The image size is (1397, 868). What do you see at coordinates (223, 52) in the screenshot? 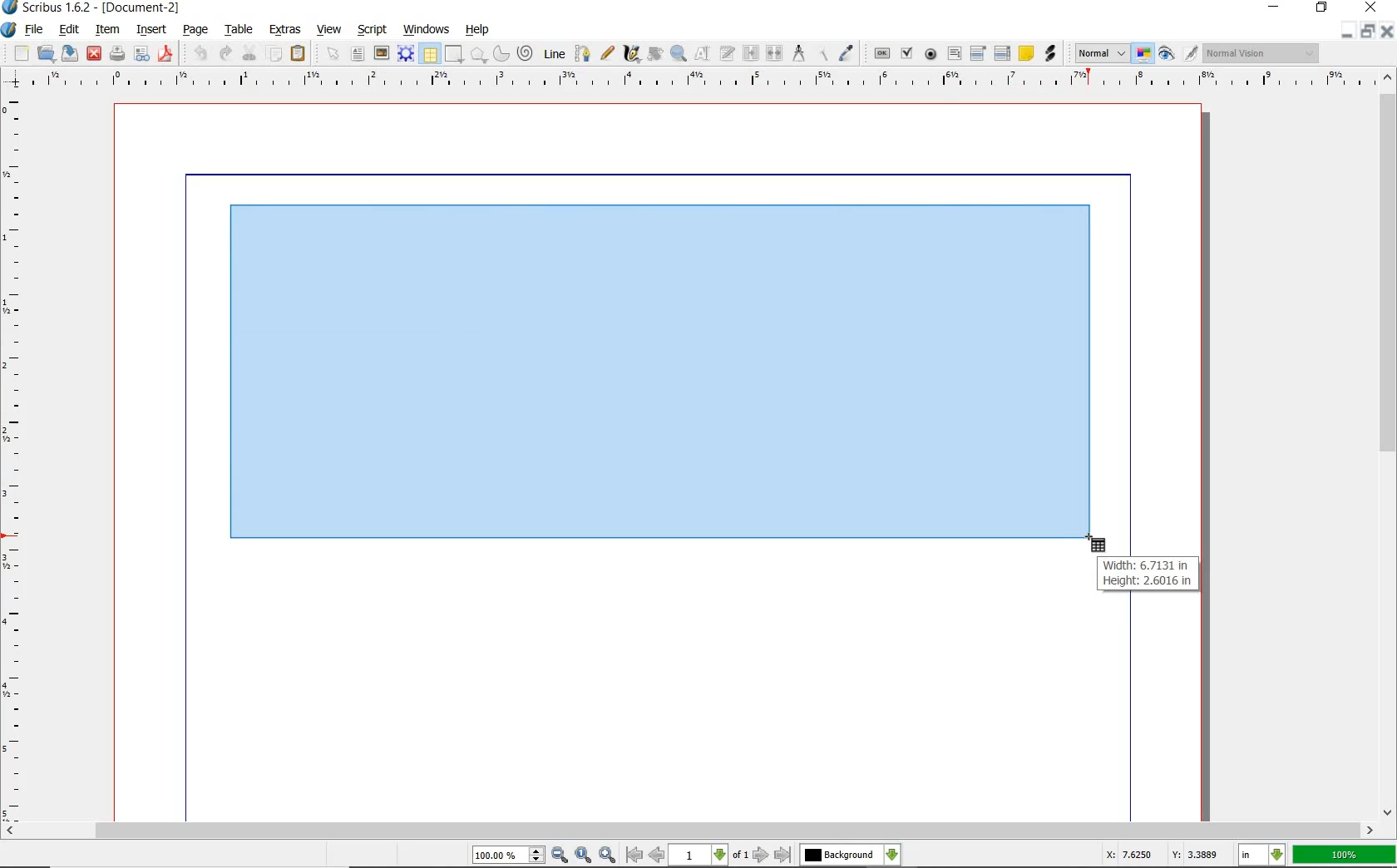
I see `redo` at bounding box center [223, 52].